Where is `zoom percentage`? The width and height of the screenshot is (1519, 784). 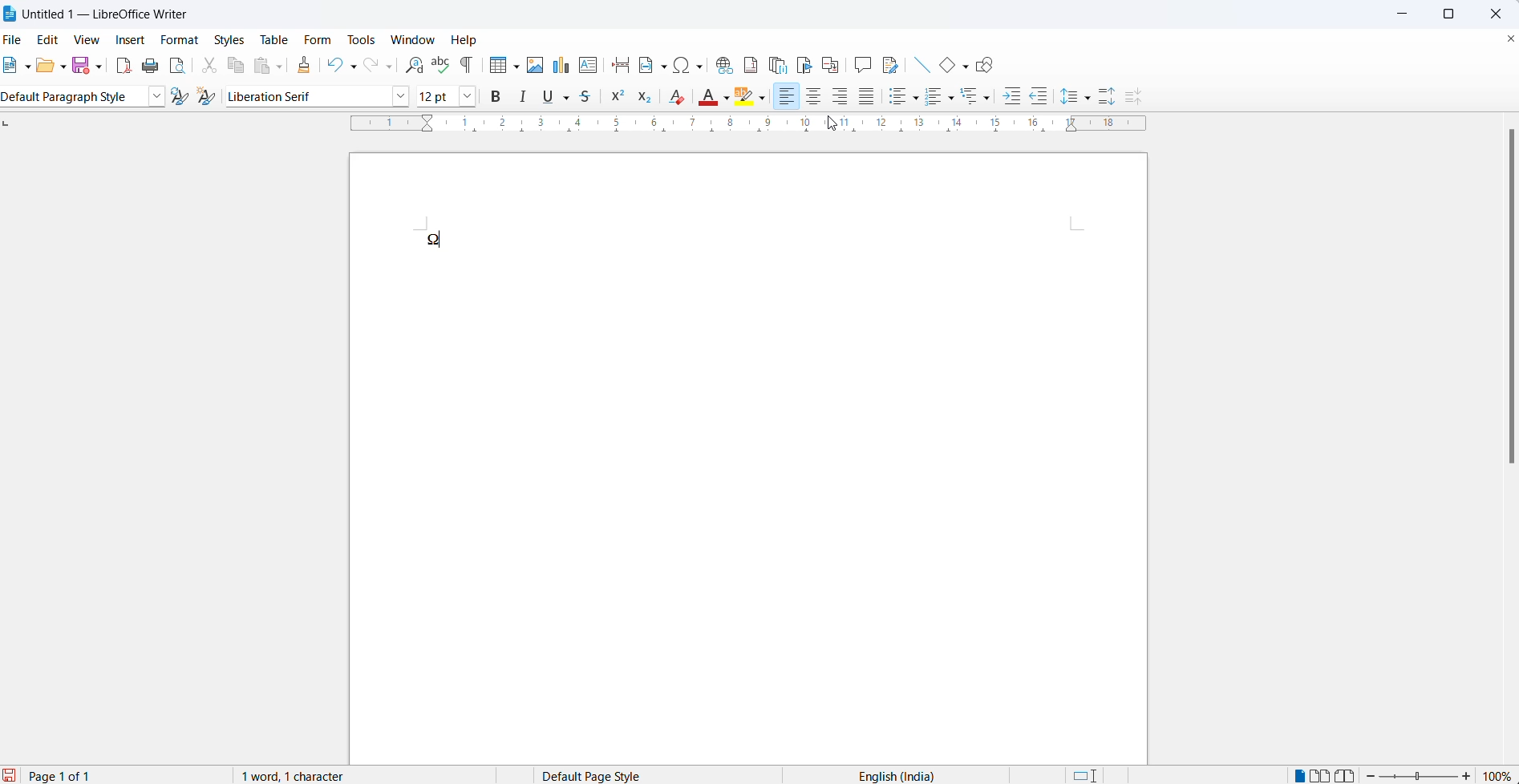 zoom percentage is located at coordinates (1499, 775).